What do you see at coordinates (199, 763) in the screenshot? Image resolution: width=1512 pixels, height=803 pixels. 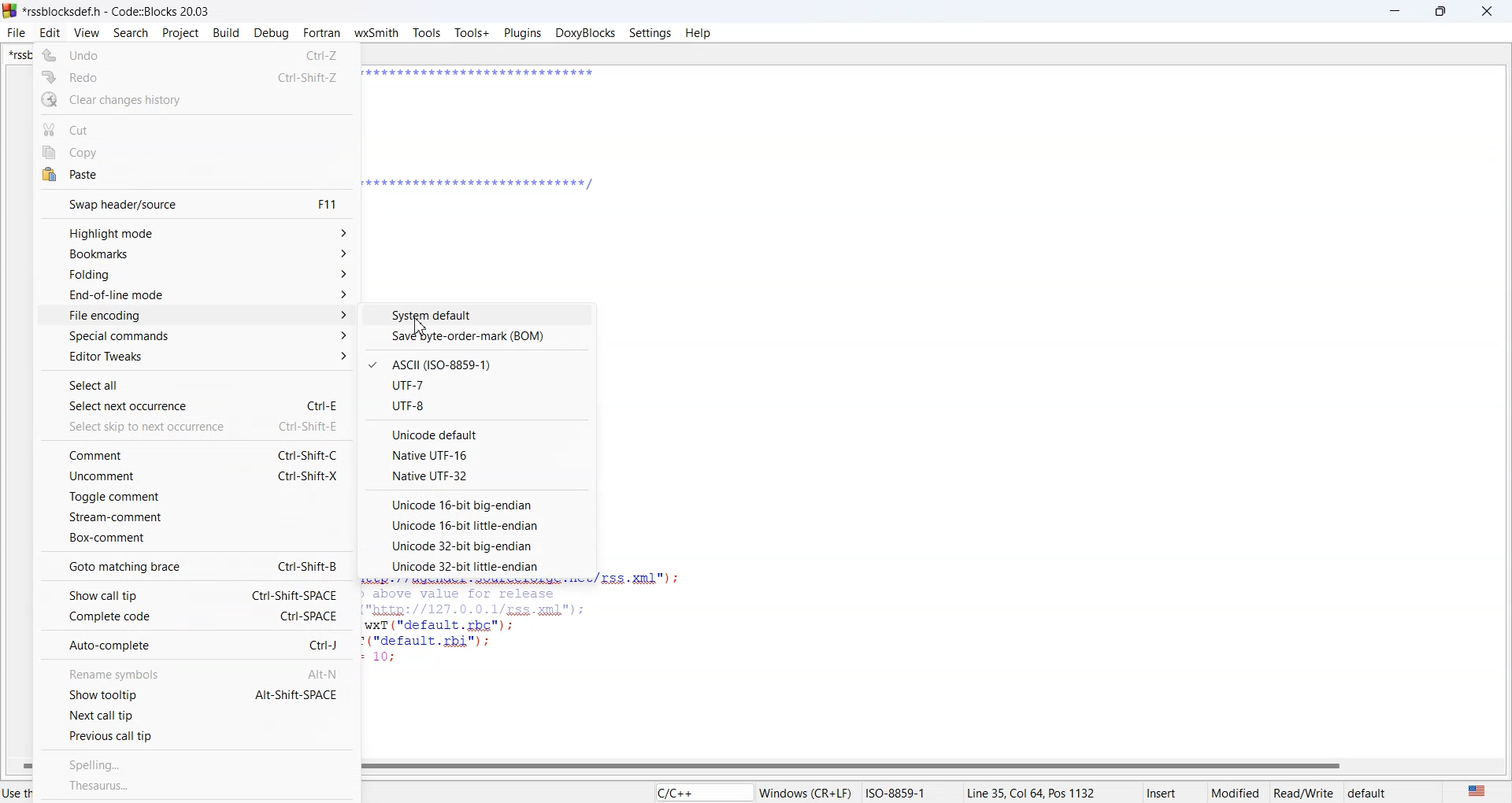 I see `Spelling` at bounding box center [199, 763].